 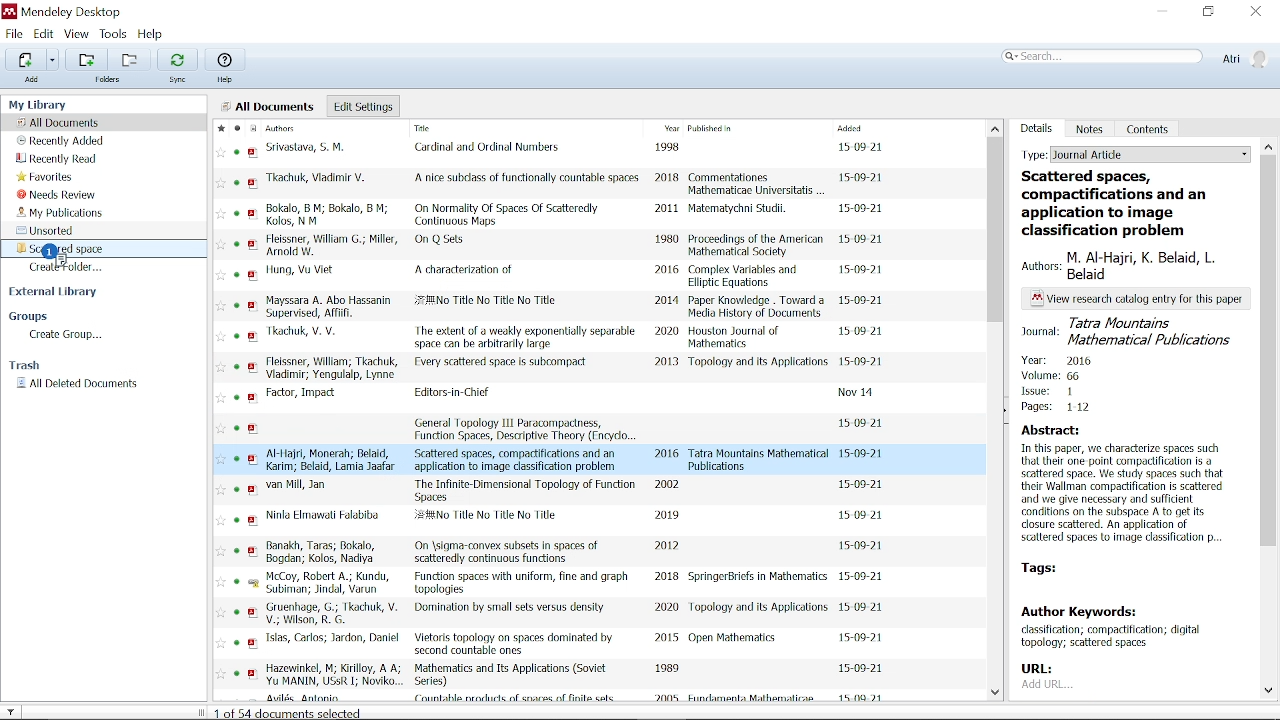 What do you see at coordinates (1063, 569) in the screenshot?
I see `TAGS` at bounding box center [1063, 569].